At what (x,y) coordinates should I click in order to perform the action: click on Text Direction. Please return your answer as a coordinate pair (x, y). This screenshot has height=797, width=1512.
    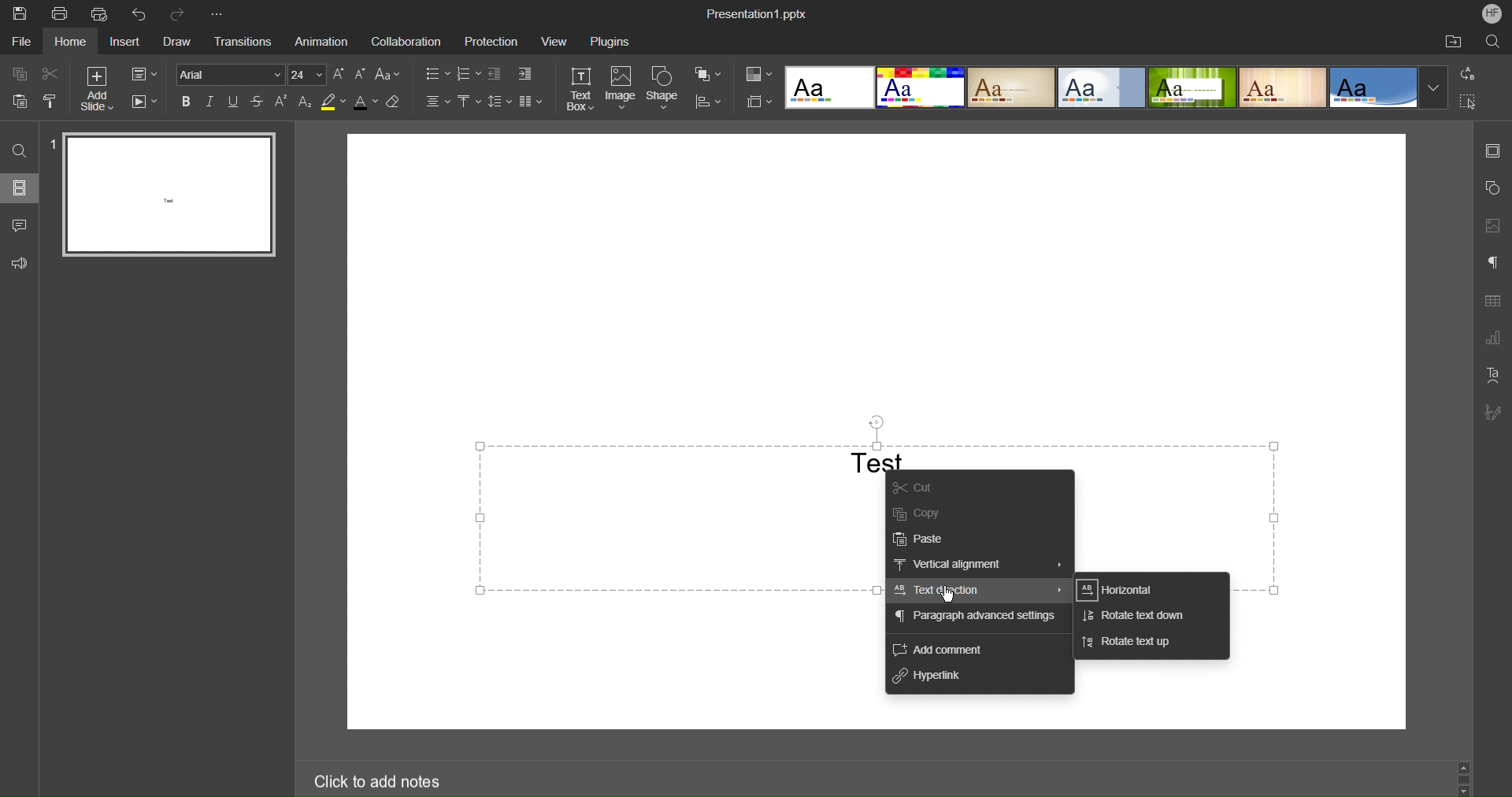
    Looking at the image, I should click on (977, 591).